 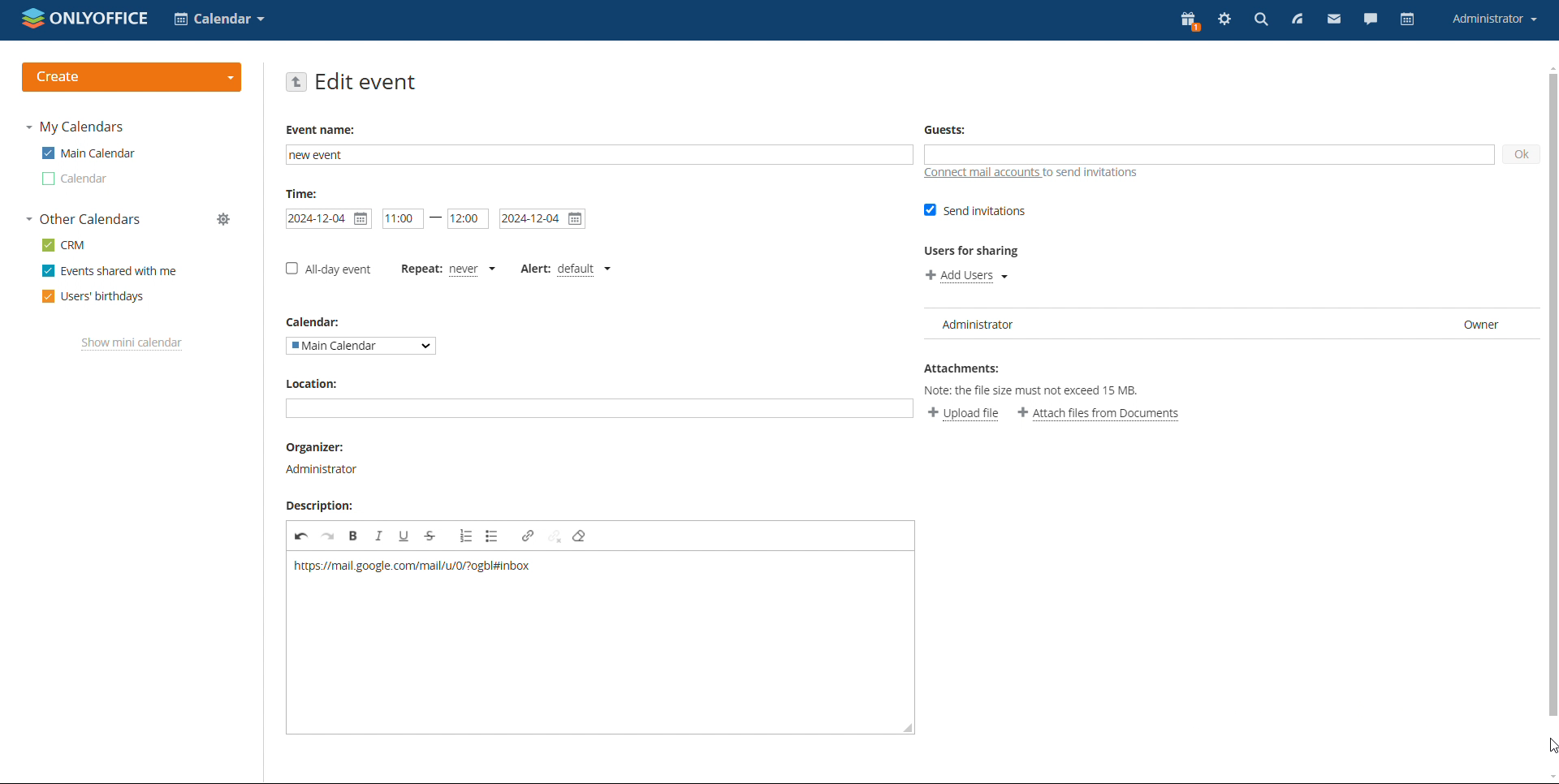 What do you see at coordinates (322, 504) in the screenshot?
I see `Description:` at bounding box center [322, 504].